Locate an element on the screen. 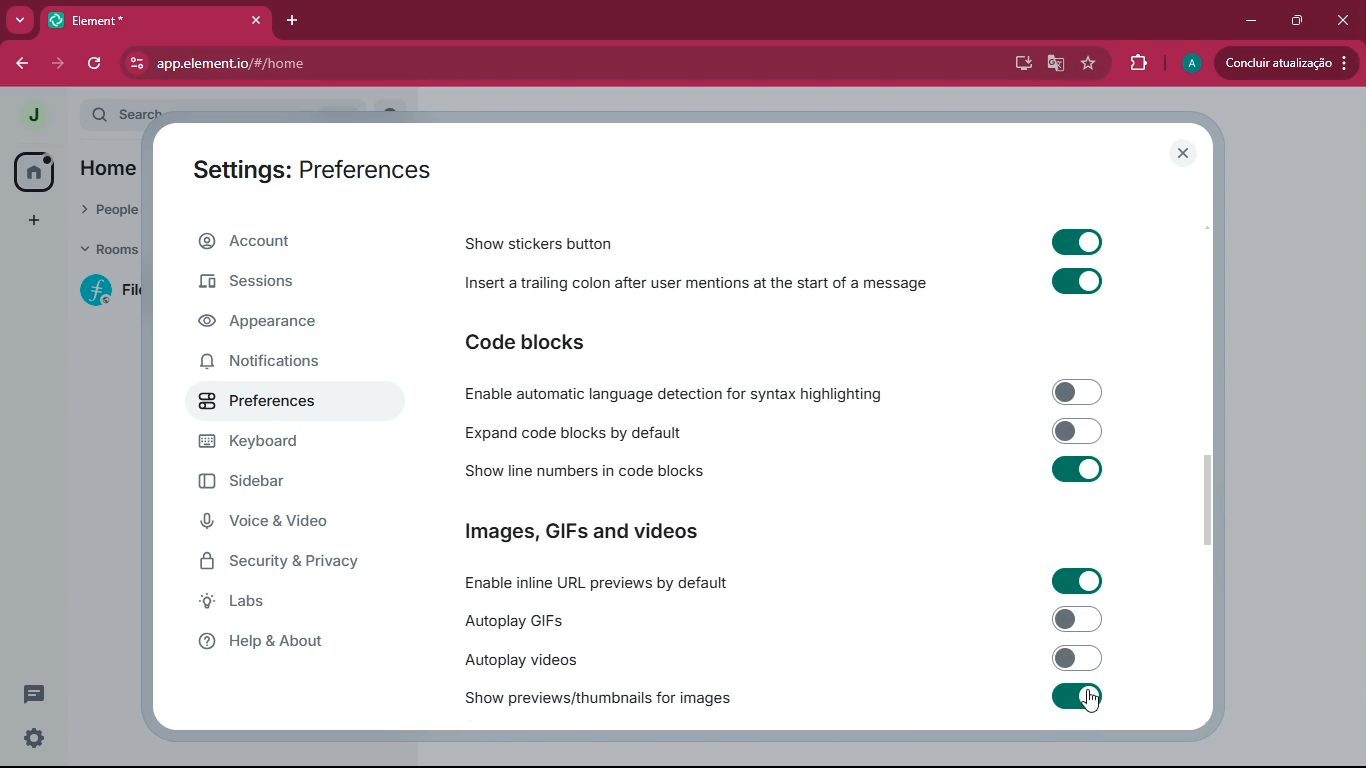 The width and height of the screenshot is (1366, 768). Toggle off is located at coordinates (1076, 392).